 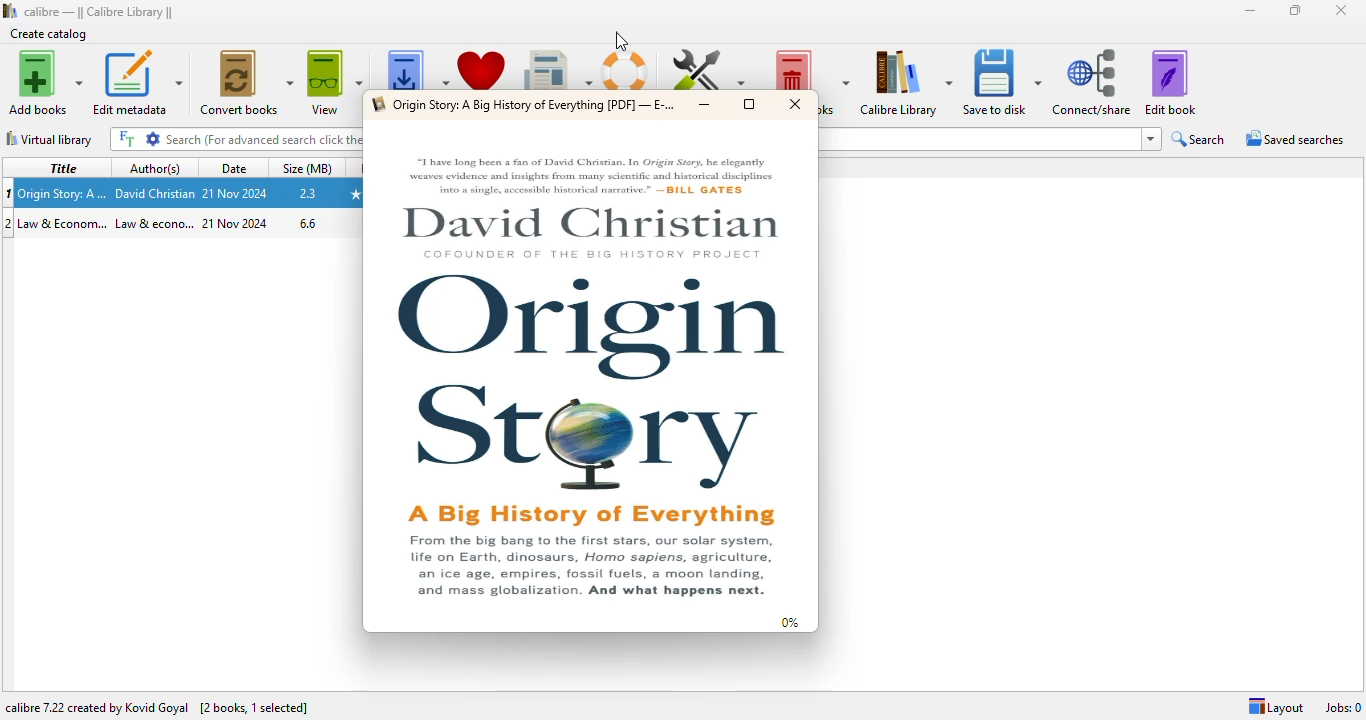 What do you see at coordinates (309, 192) in the screenshot?
I see `size in mbs` at bounding box center [309, 192].